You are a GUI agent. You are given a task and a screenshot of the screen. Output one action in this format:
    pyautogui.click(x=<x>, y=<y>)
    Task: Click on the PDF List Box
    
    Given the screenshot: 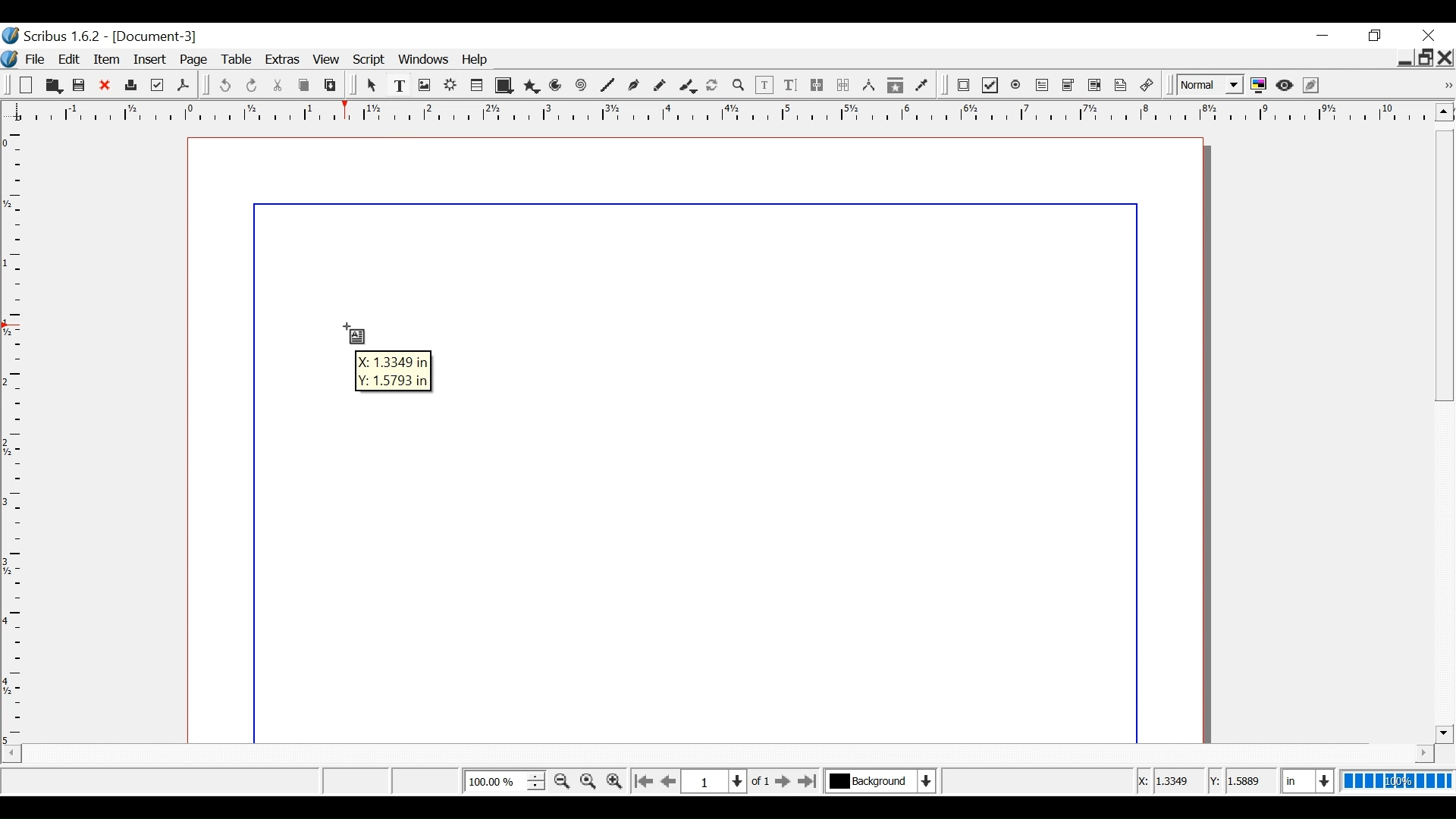 What is the action you would take?
    pyautogui.click(x=1095, y=85)
    